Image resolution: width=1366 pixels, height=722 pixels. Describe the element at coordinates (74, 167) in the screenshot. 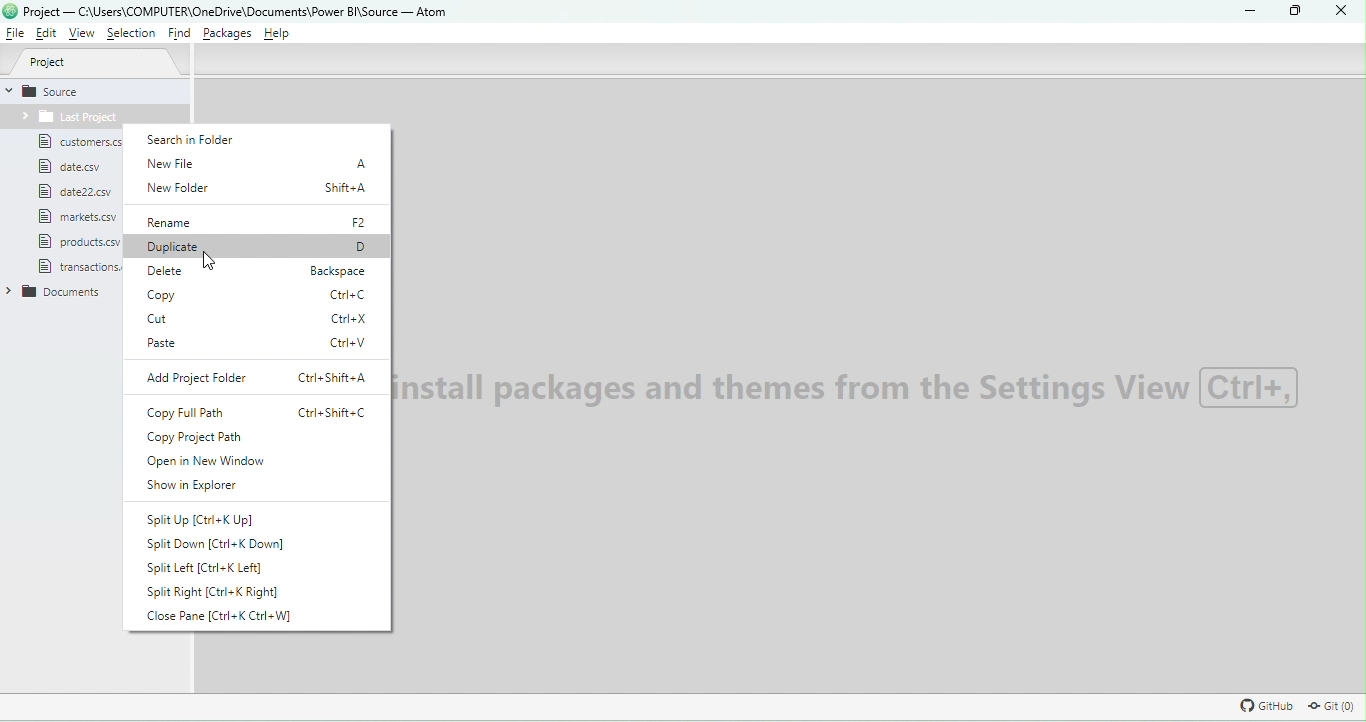

I see `File` at that location.